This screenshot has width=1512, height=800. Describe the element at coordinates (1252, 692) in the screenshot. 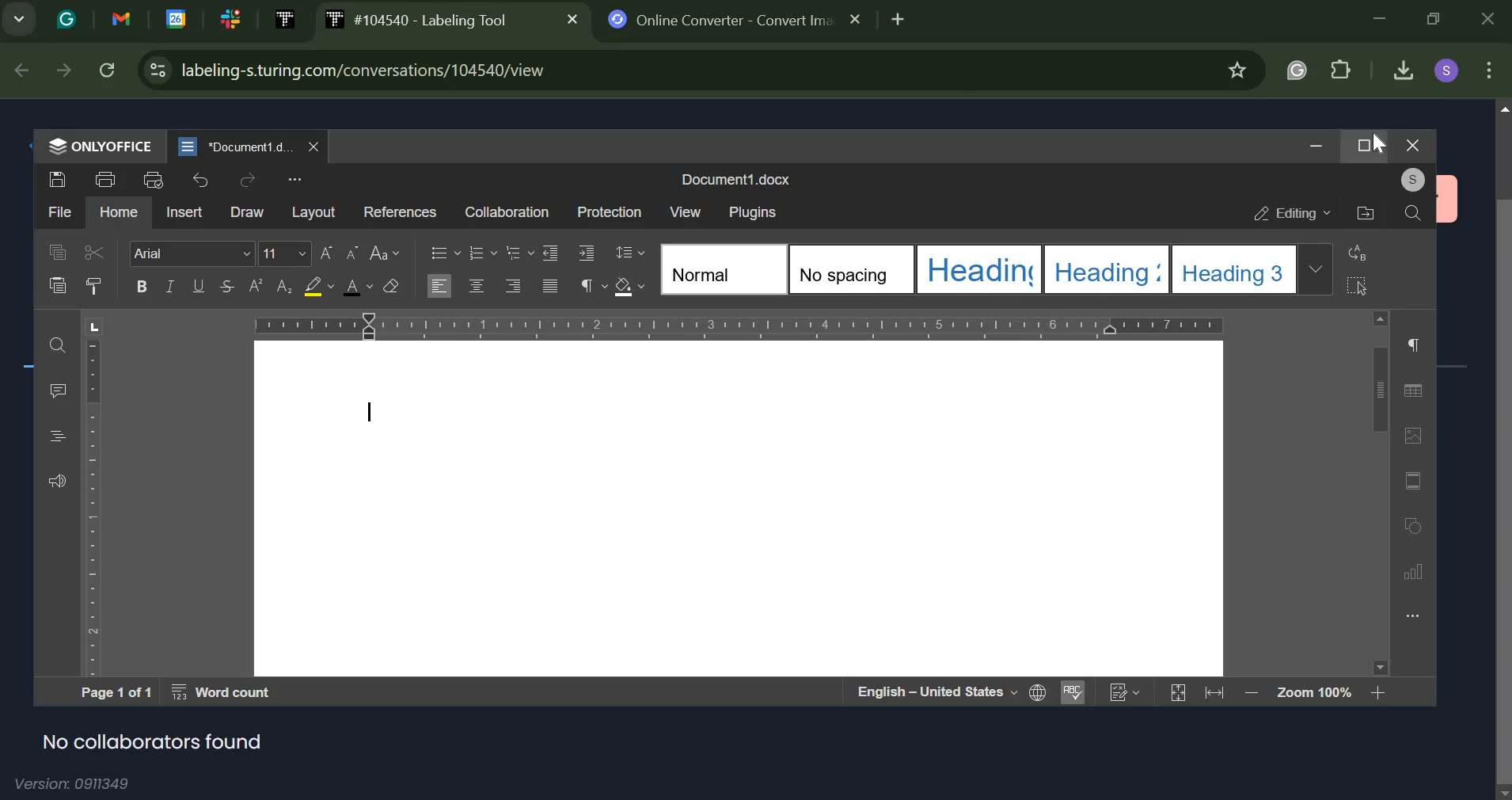

I see `Decrease zoom` at that location.